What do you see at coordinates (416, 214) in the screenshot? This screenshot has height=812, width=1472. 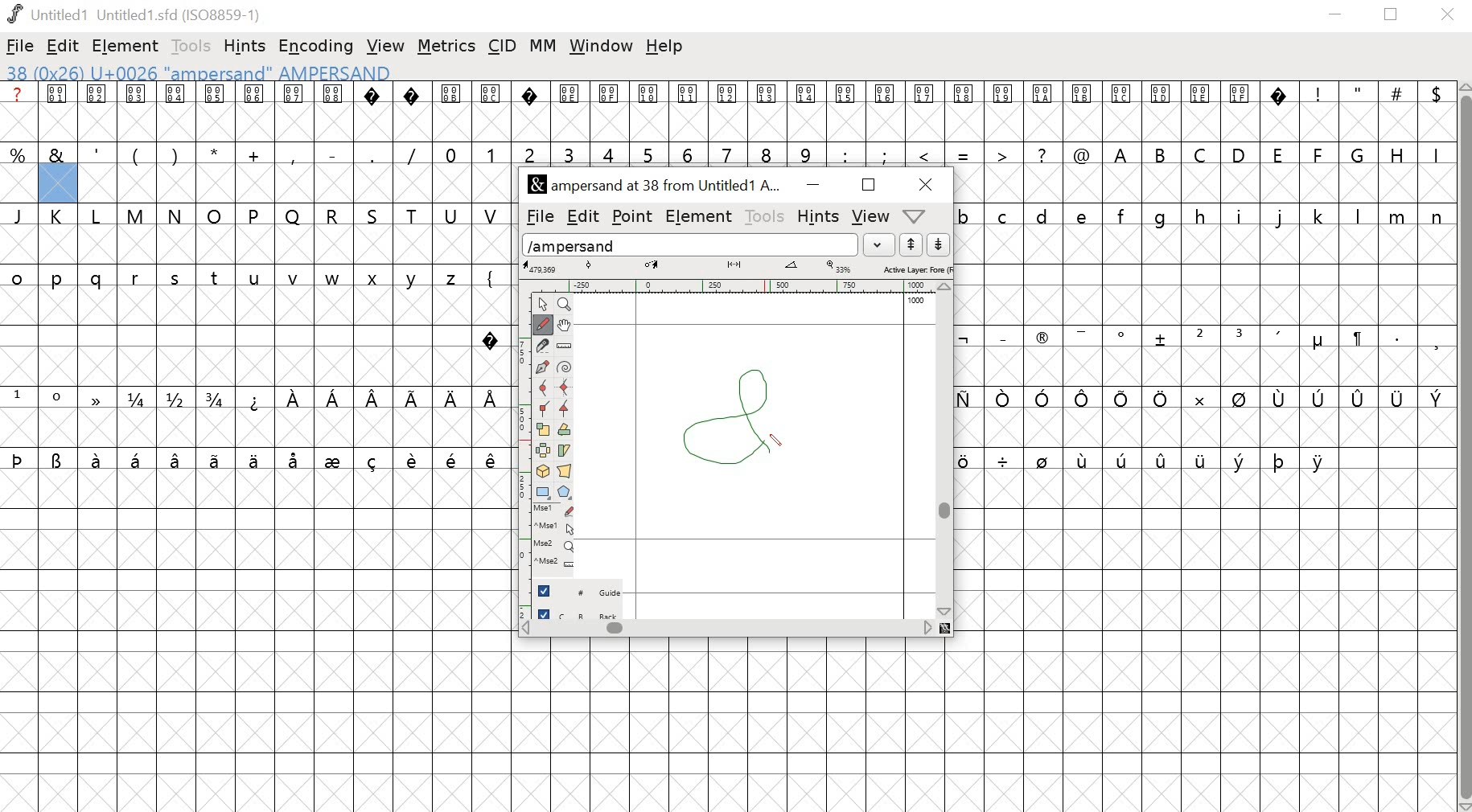 I see `T` at bounding box center [416, 214].